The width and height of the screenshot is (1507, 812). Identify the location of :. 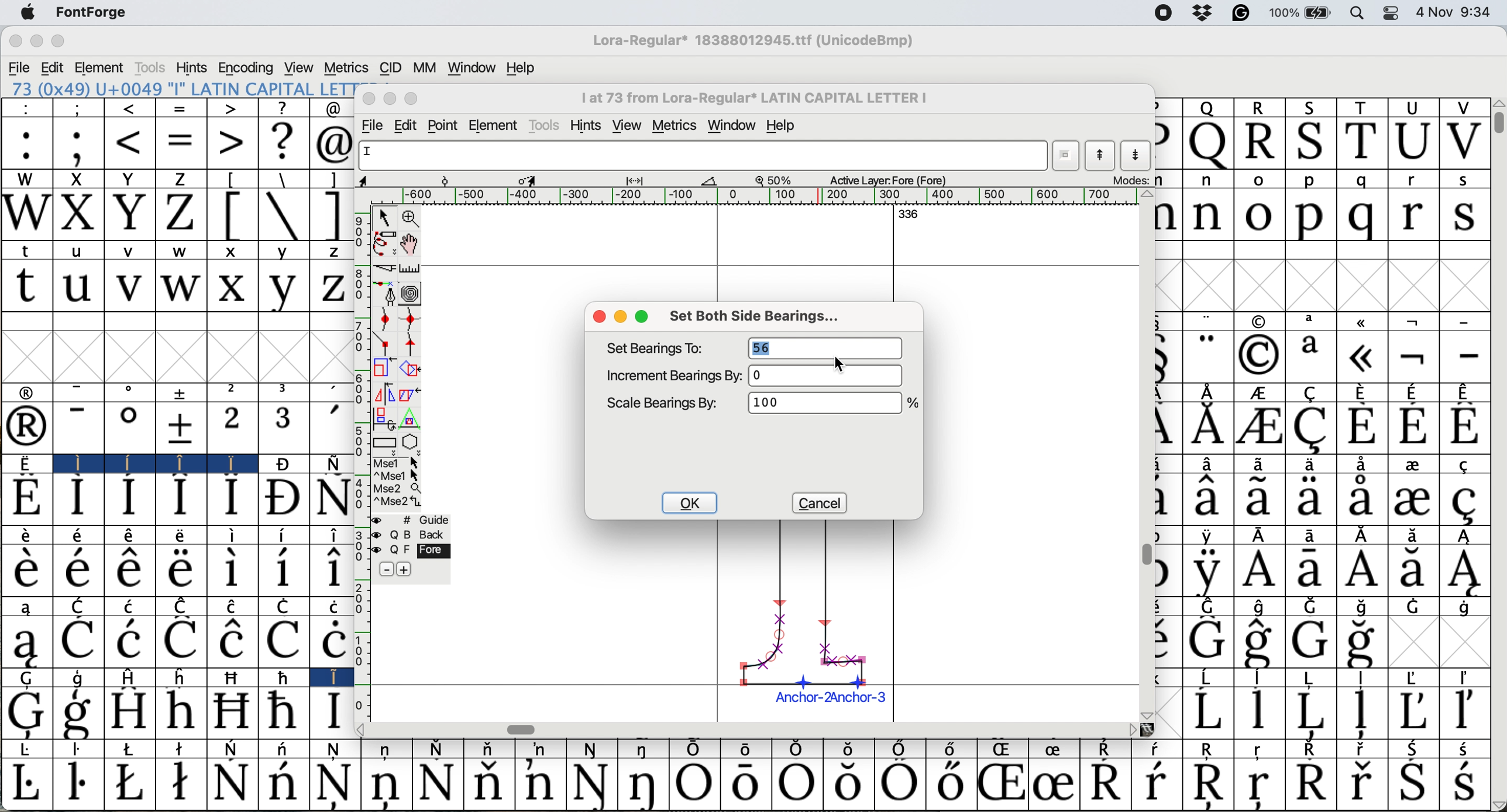
(26, 143).